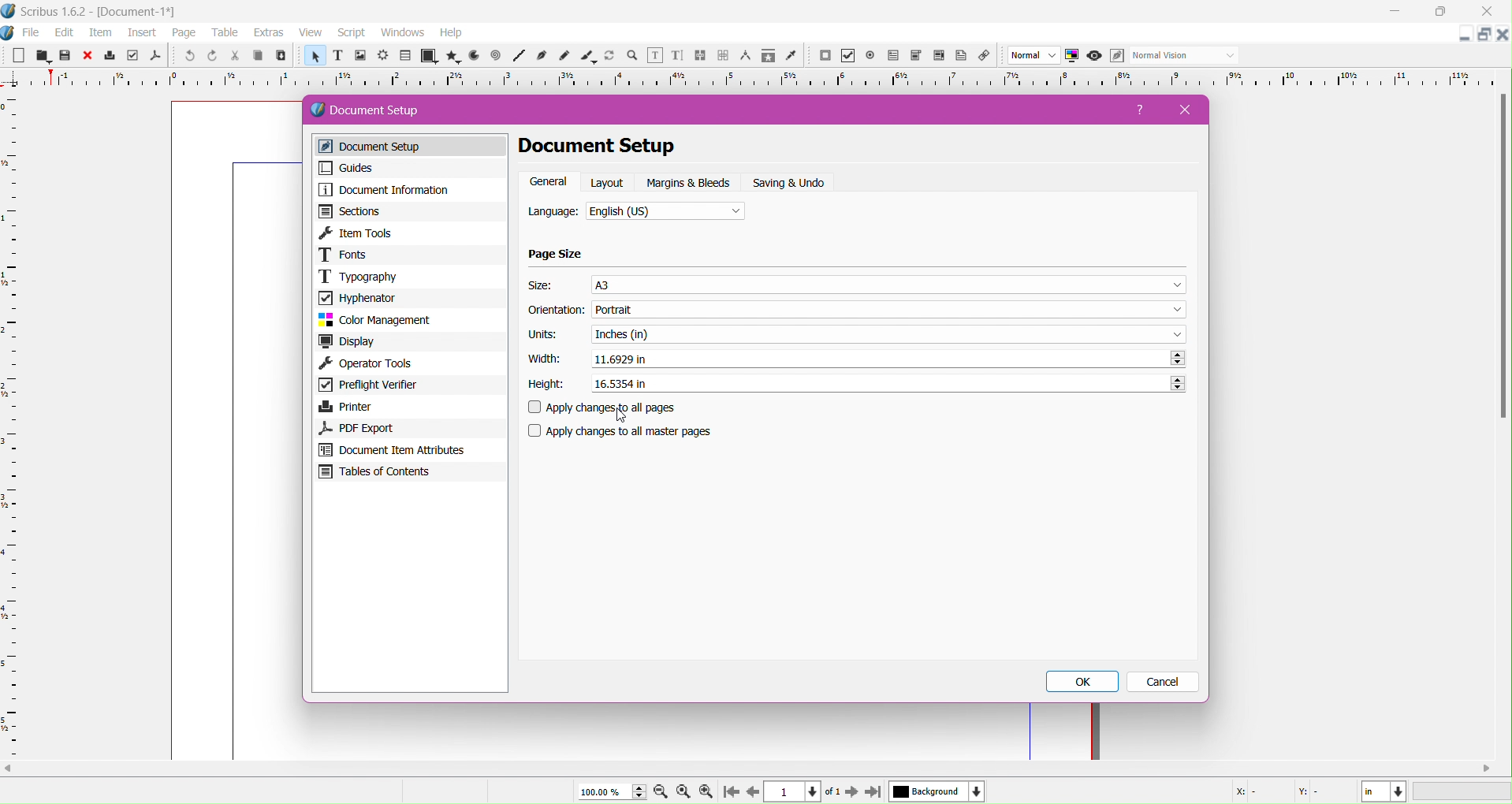  I want to click on spiral, so click(496, 56).